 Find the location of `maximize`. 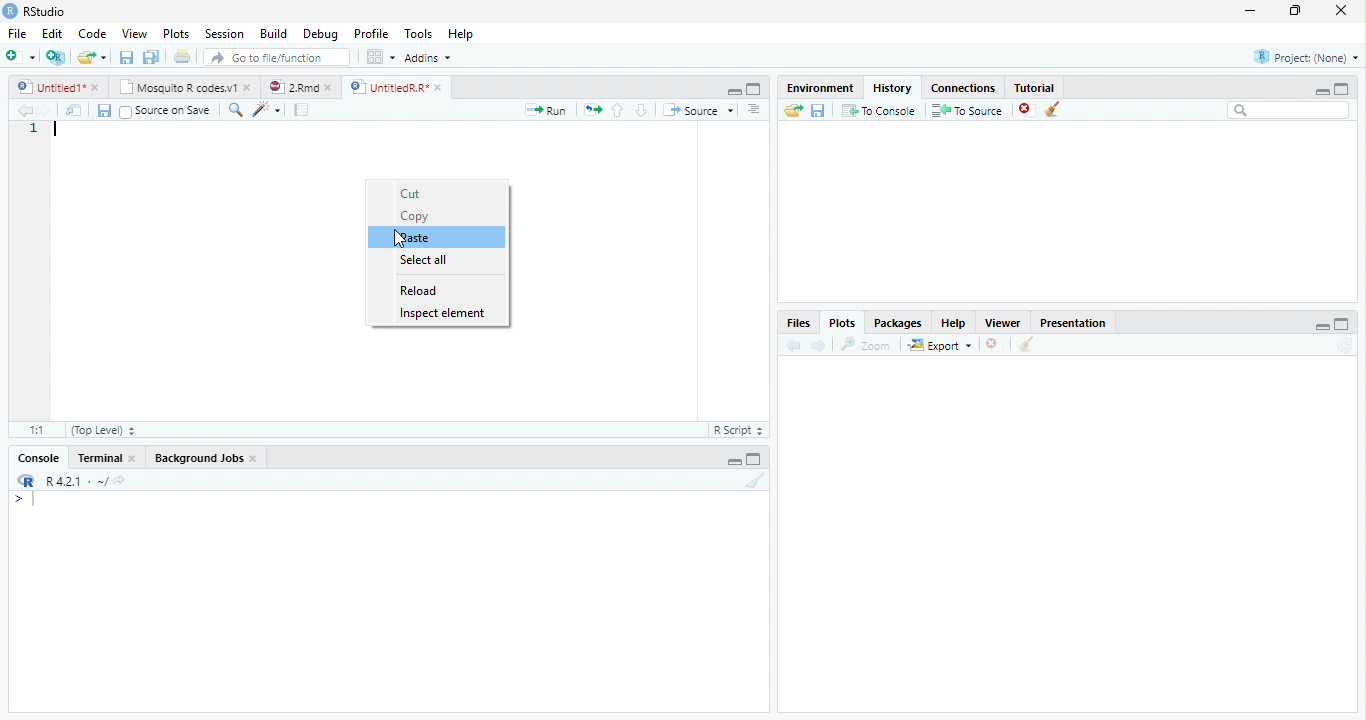

maximize is located at coordinates (756, 459).